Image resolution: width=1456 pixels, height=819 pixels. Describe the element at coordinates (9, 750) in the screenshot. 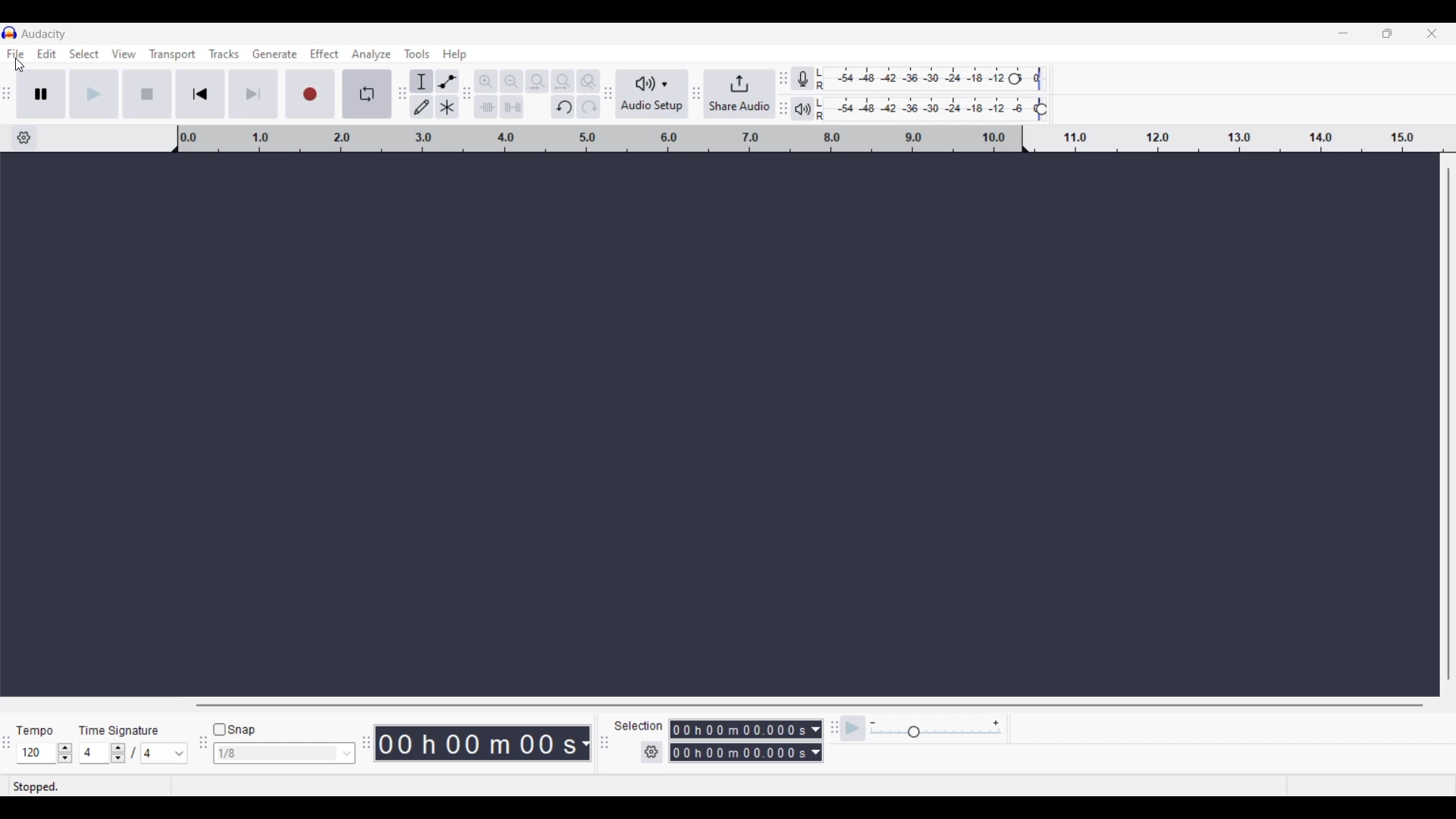

I see `signature time tool bar` at that location.